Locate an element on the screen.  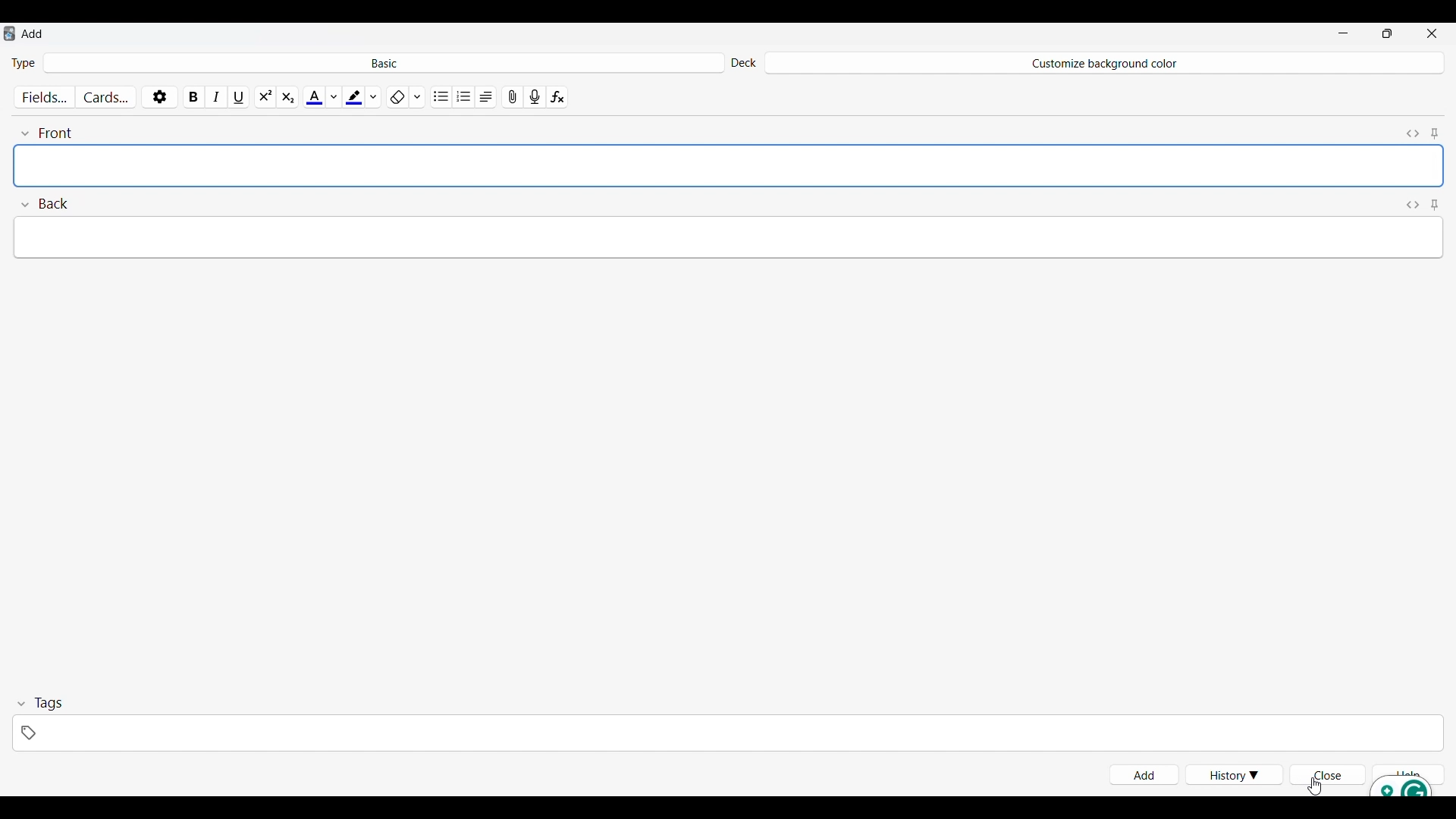
Alignment is located at coordinates (486, 95).